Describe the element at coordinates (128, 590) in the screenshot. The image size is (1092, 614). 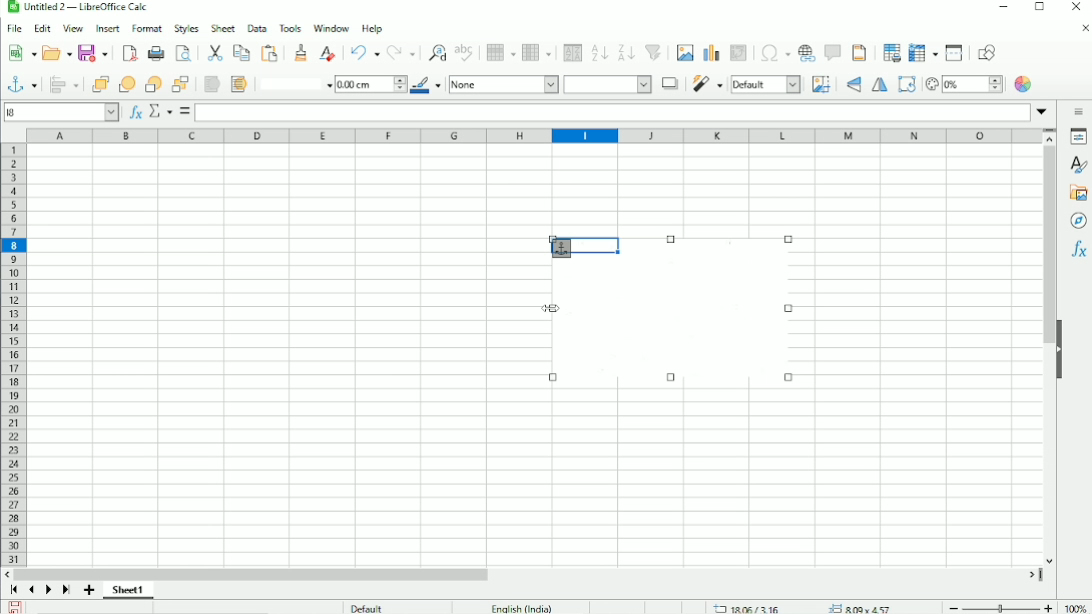
I see `Sheet 1` at that location.